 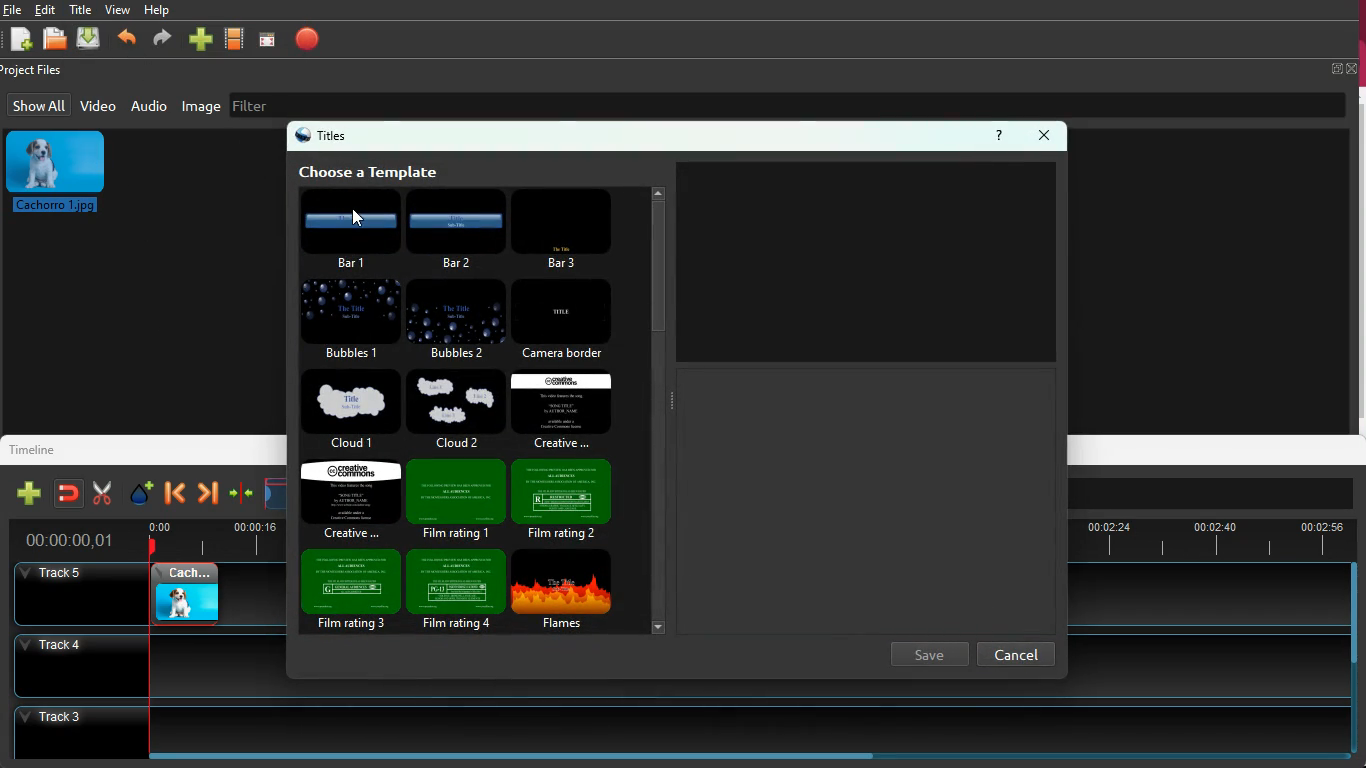 I want to click on record, so click(x=308, y=39).